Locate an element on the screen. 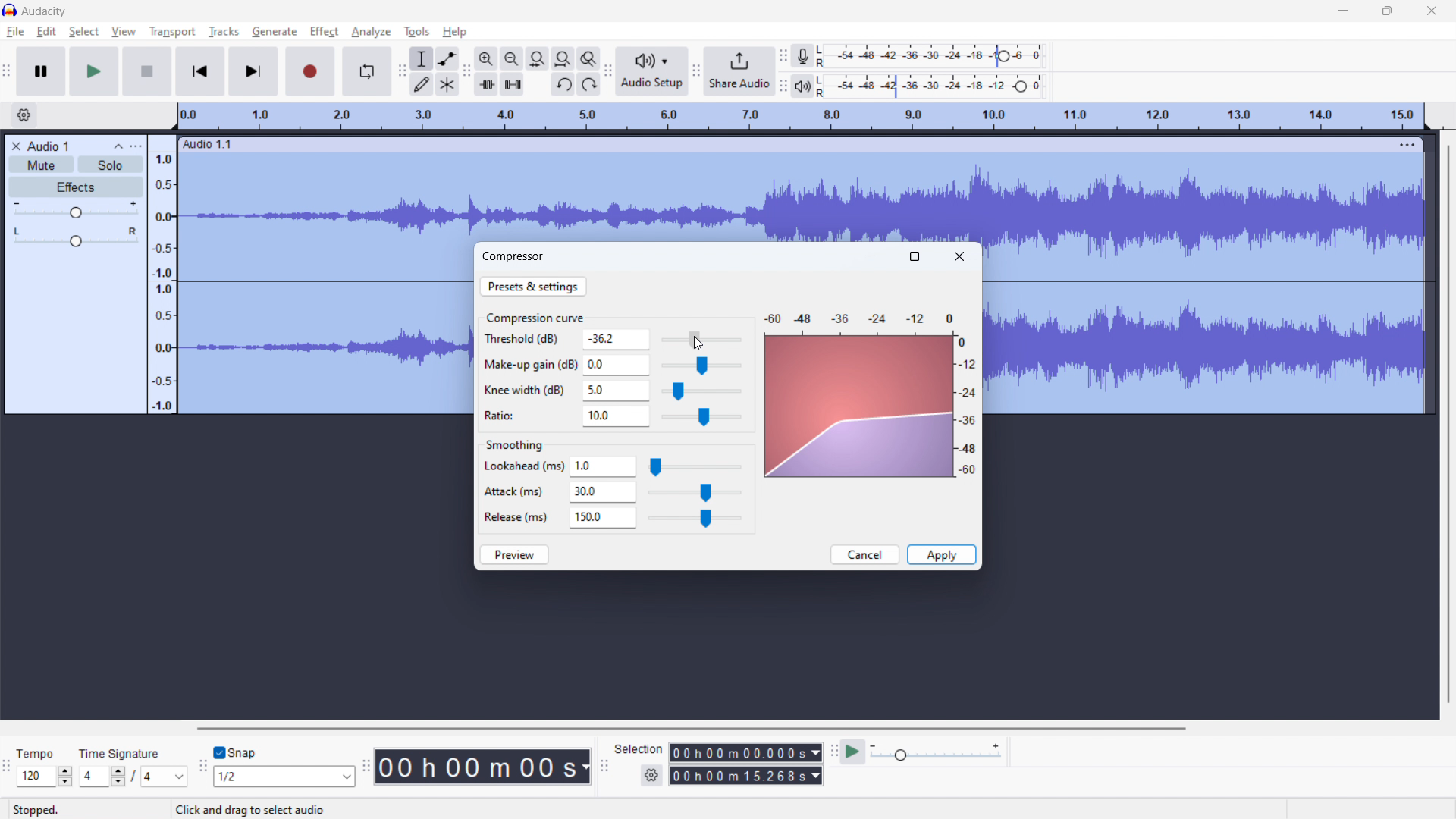 This screenshot has width=1456, height=819. ratio slider is located at coordinates (701, 418).